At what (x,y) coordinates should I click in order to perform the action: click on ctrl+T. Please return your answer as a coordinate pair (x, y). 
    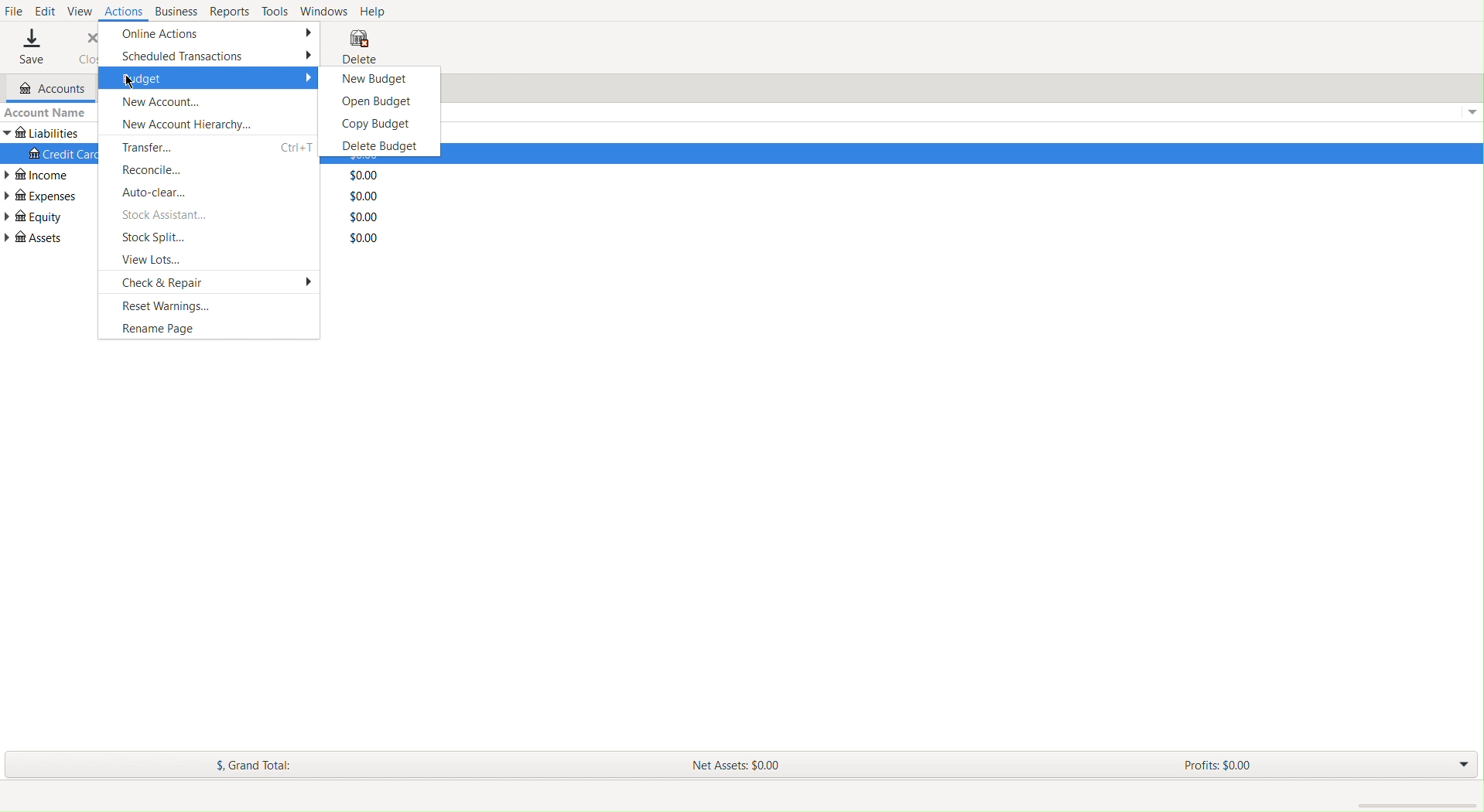
    Looking at the image, I should click on (294, 145).